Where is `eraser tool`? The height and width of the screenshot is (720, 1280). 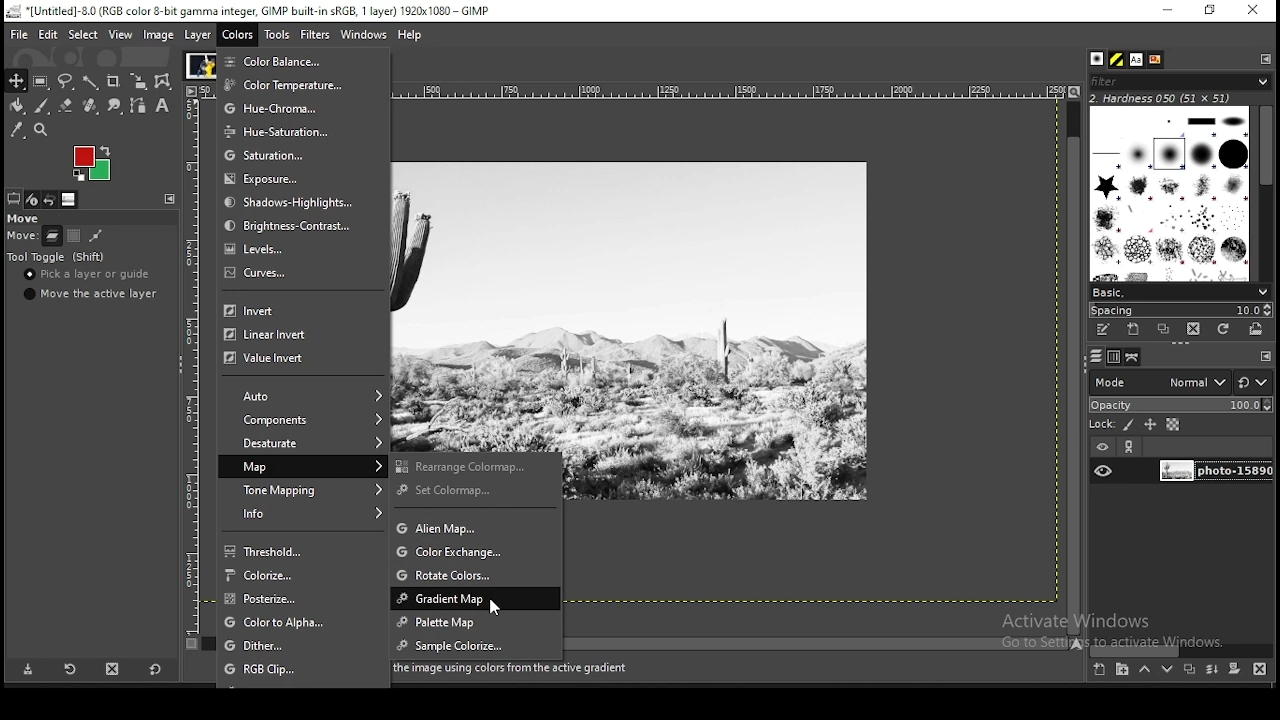 eraser tool is located at coordinates (67, 106).